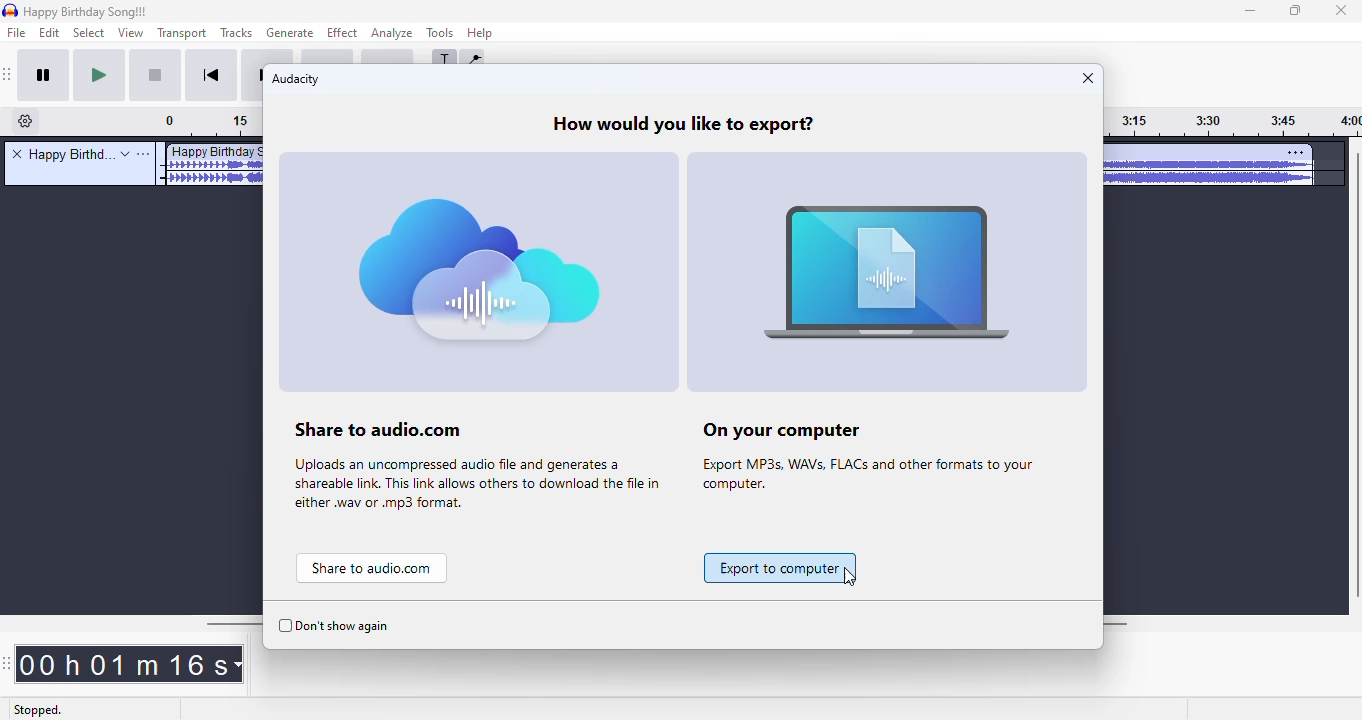  Describe the element at coordinates (780, 568) in the screenshot. I see `export to computer` at that location.